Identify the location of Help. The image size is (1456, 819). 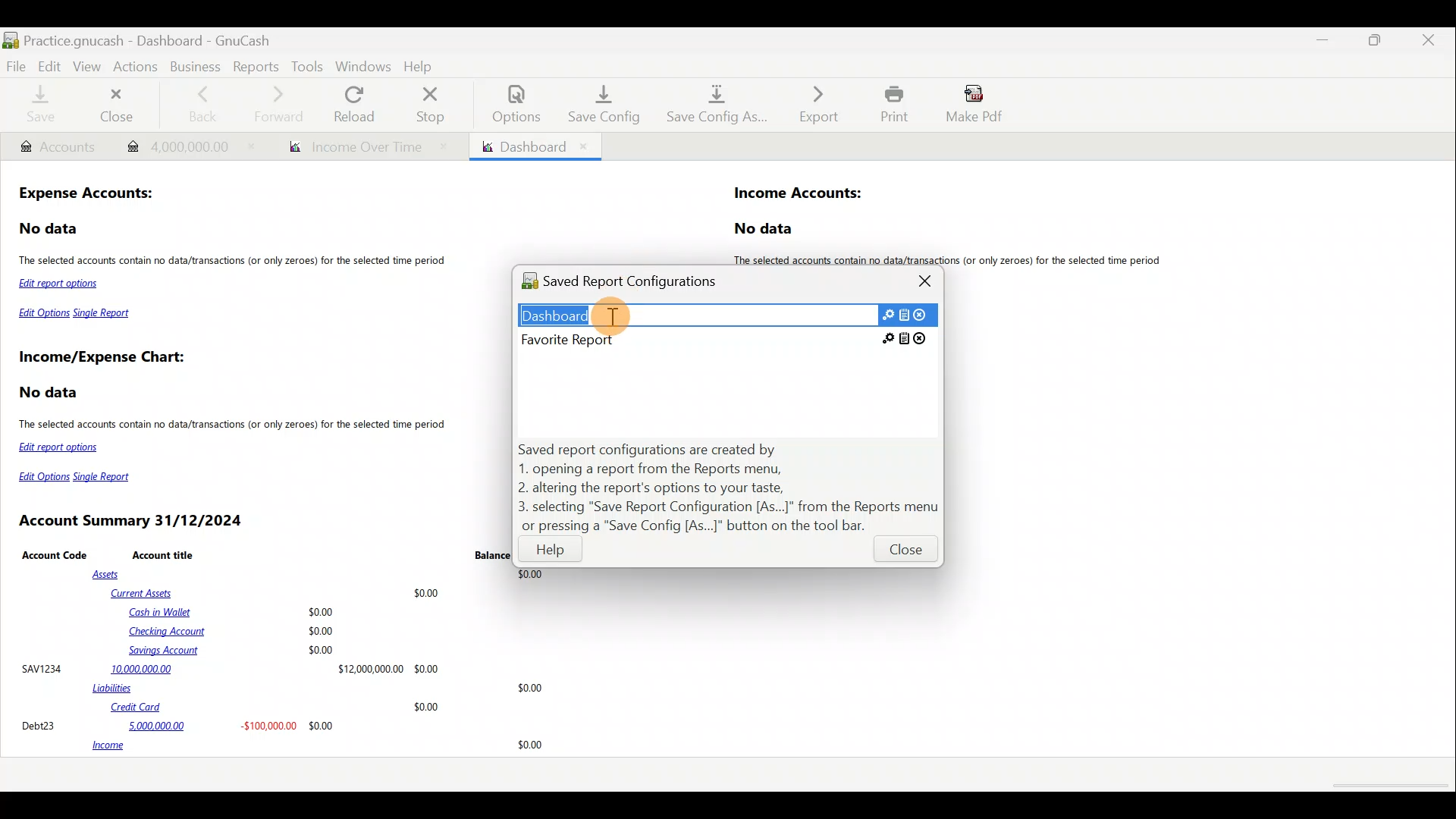
(551, 553).